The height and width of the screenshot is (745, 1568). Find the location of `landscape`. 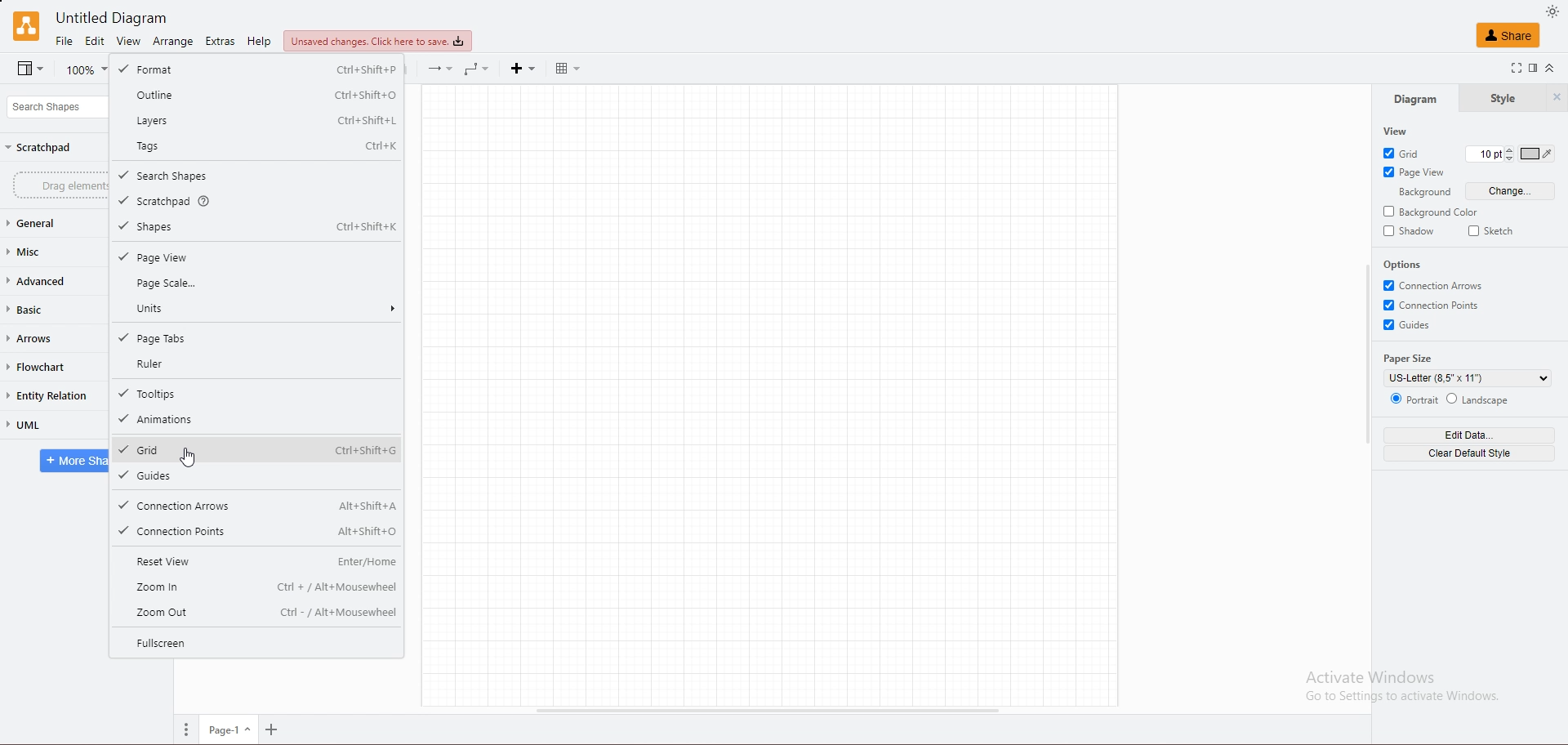

landscape is located at coordinates (1486, 400).